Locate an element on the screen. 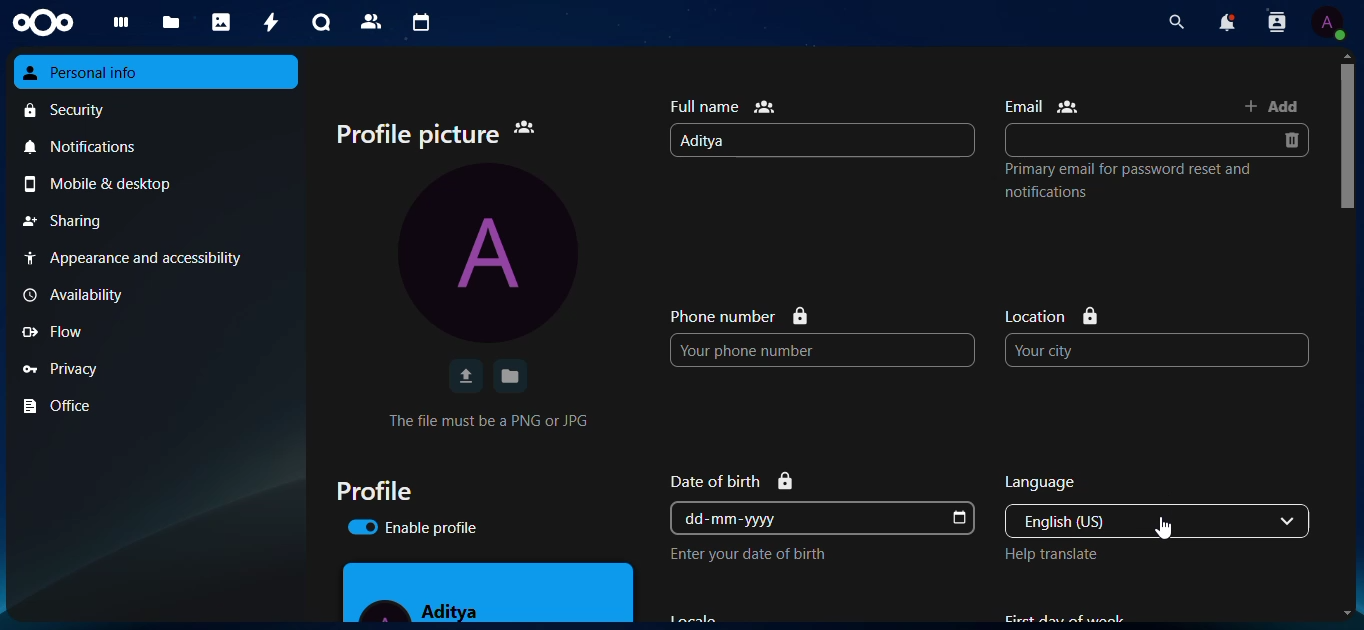 The image size is (1364, 630). contacts is located at coordinates (368, 21).